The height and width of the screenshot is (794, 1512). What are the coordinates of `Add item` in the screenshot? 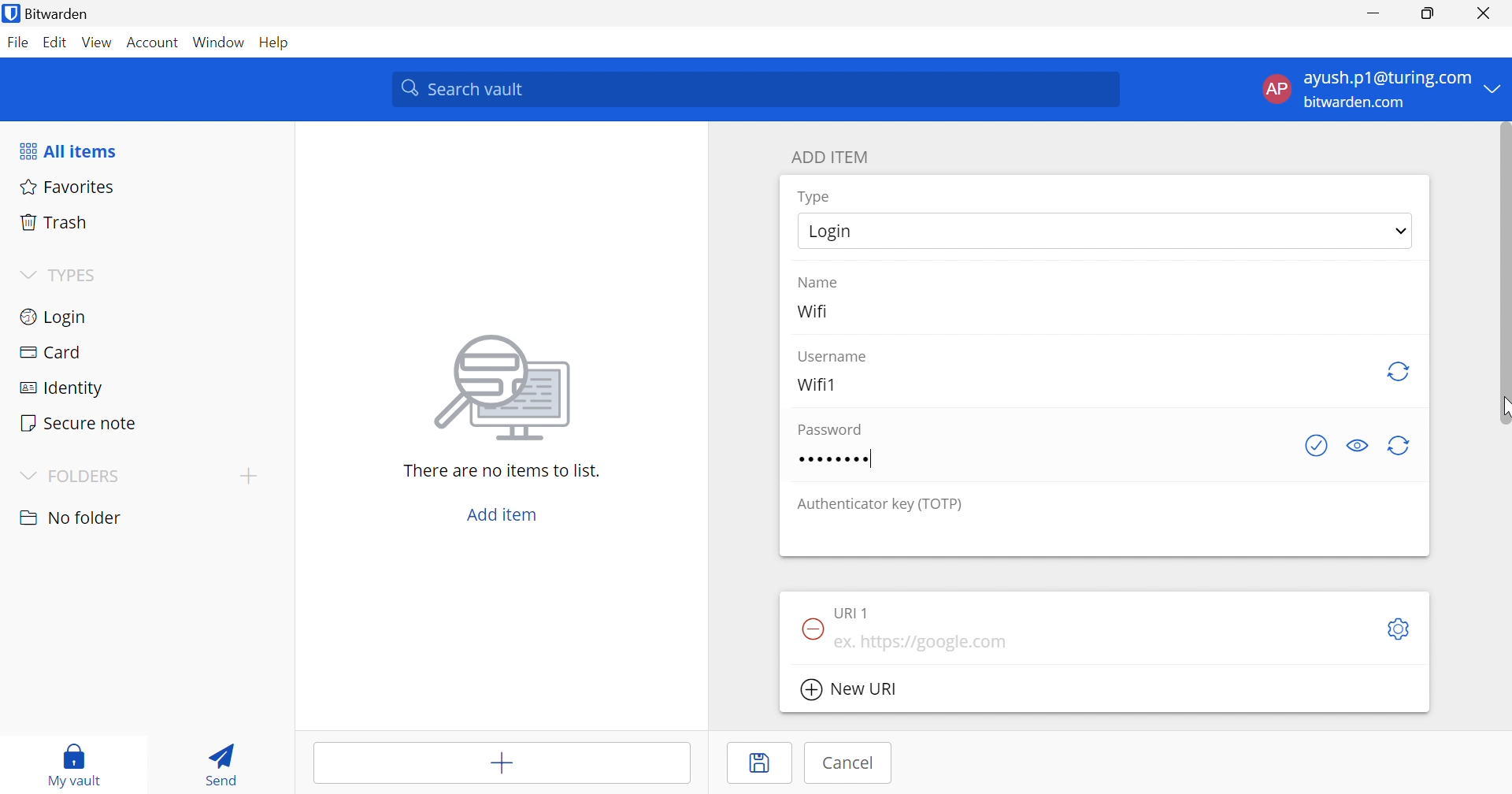 It's located at (502, 514).